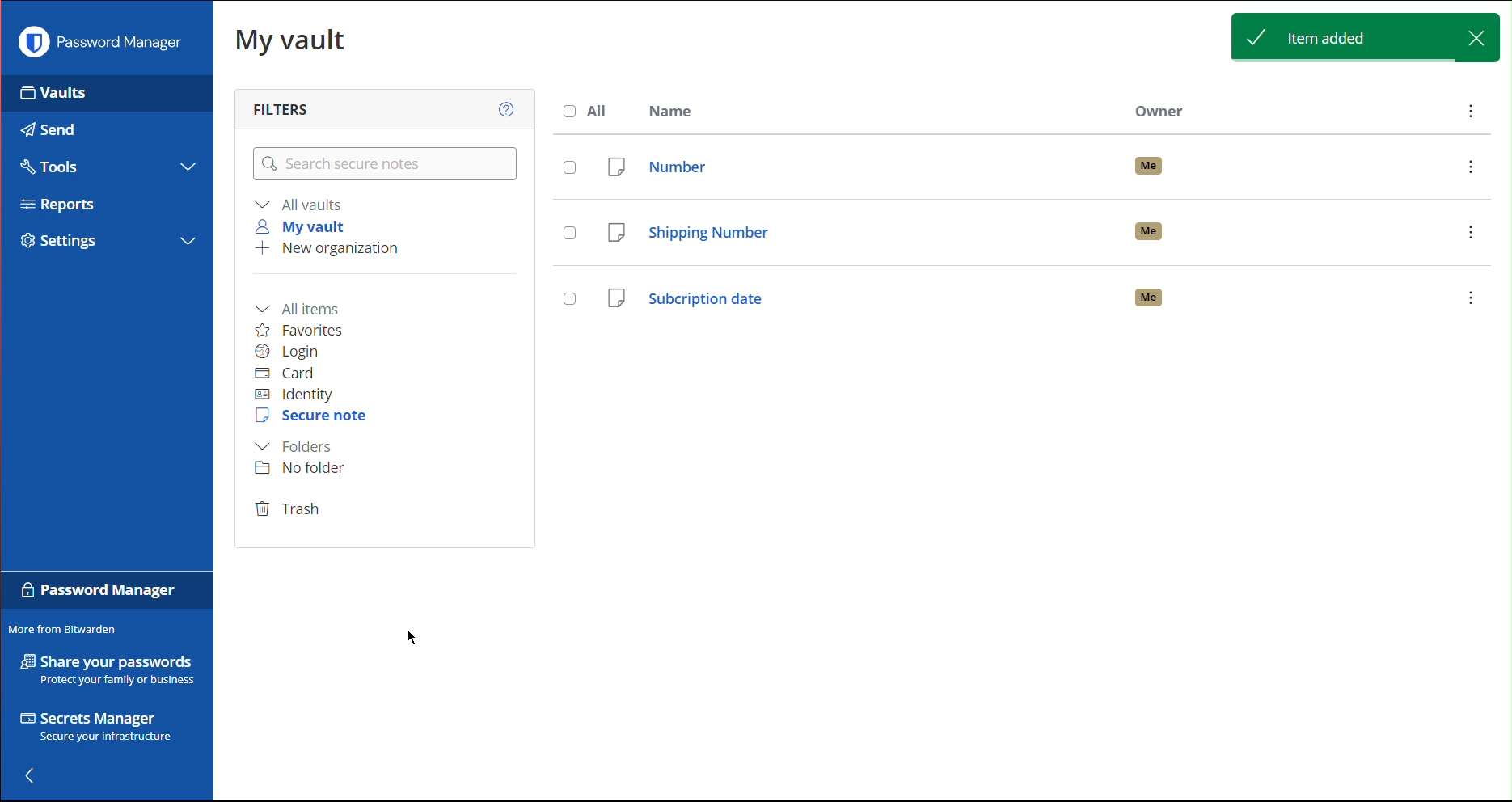 The height and width of the screenshot is (802, 1512). Describe the element at coordinates (502, 108) in the screenshot. I see `Help` at that location.